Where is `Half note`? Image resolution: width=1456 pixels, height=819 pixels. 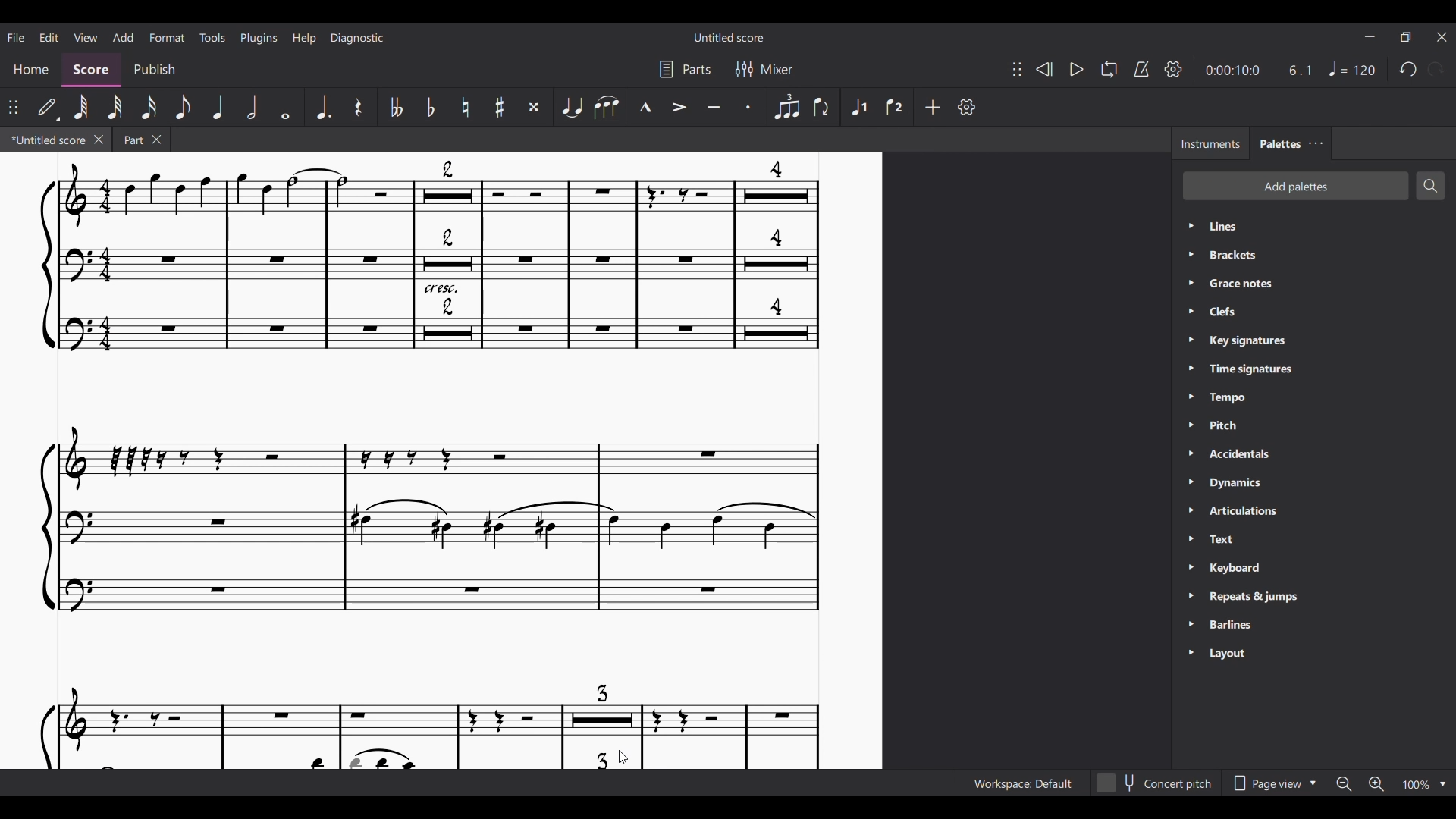
Half note is located at coordinates (252, 107).